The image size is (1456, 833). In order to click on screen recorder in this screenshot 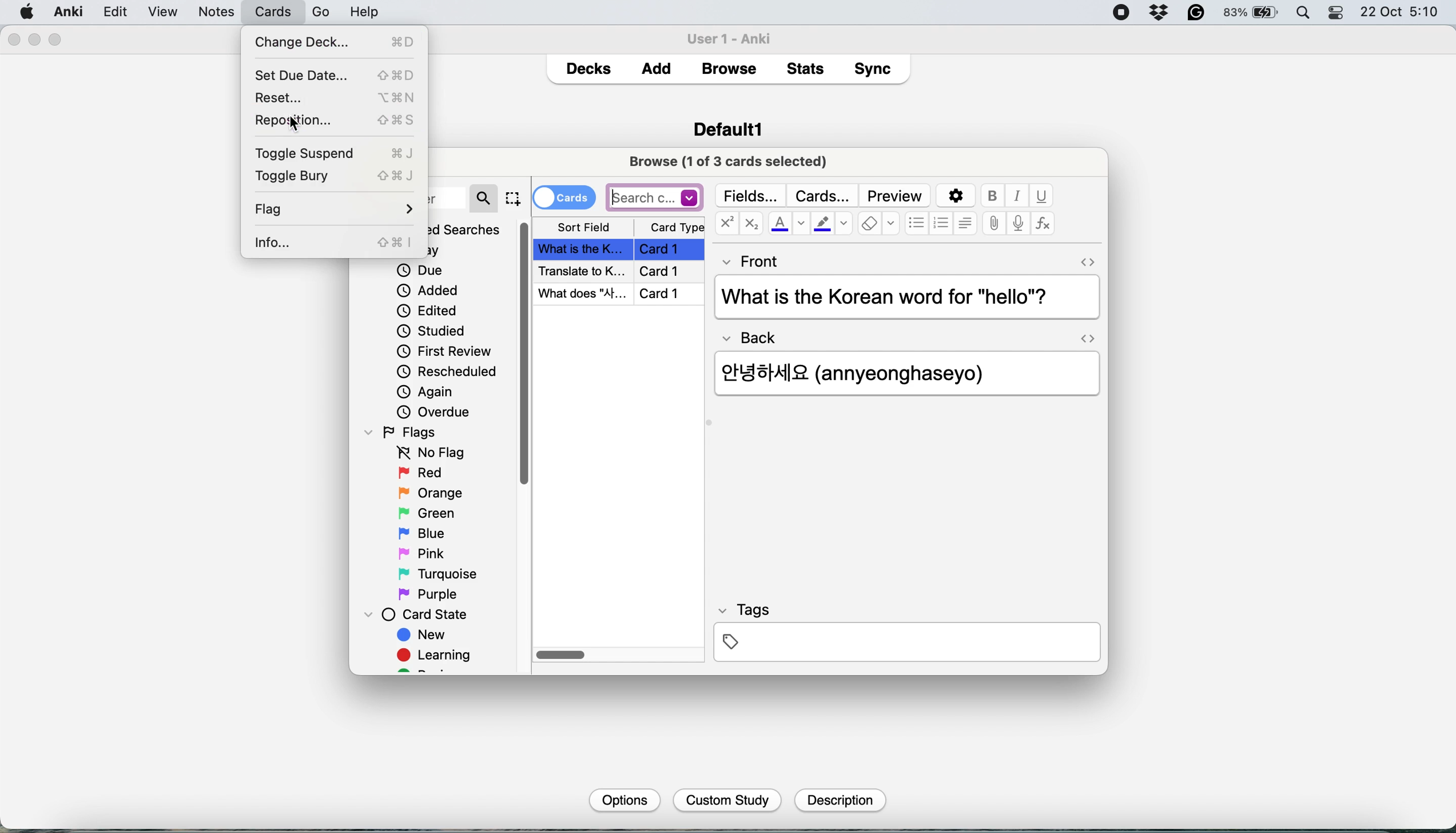, I will do `click(1121, 14)`.